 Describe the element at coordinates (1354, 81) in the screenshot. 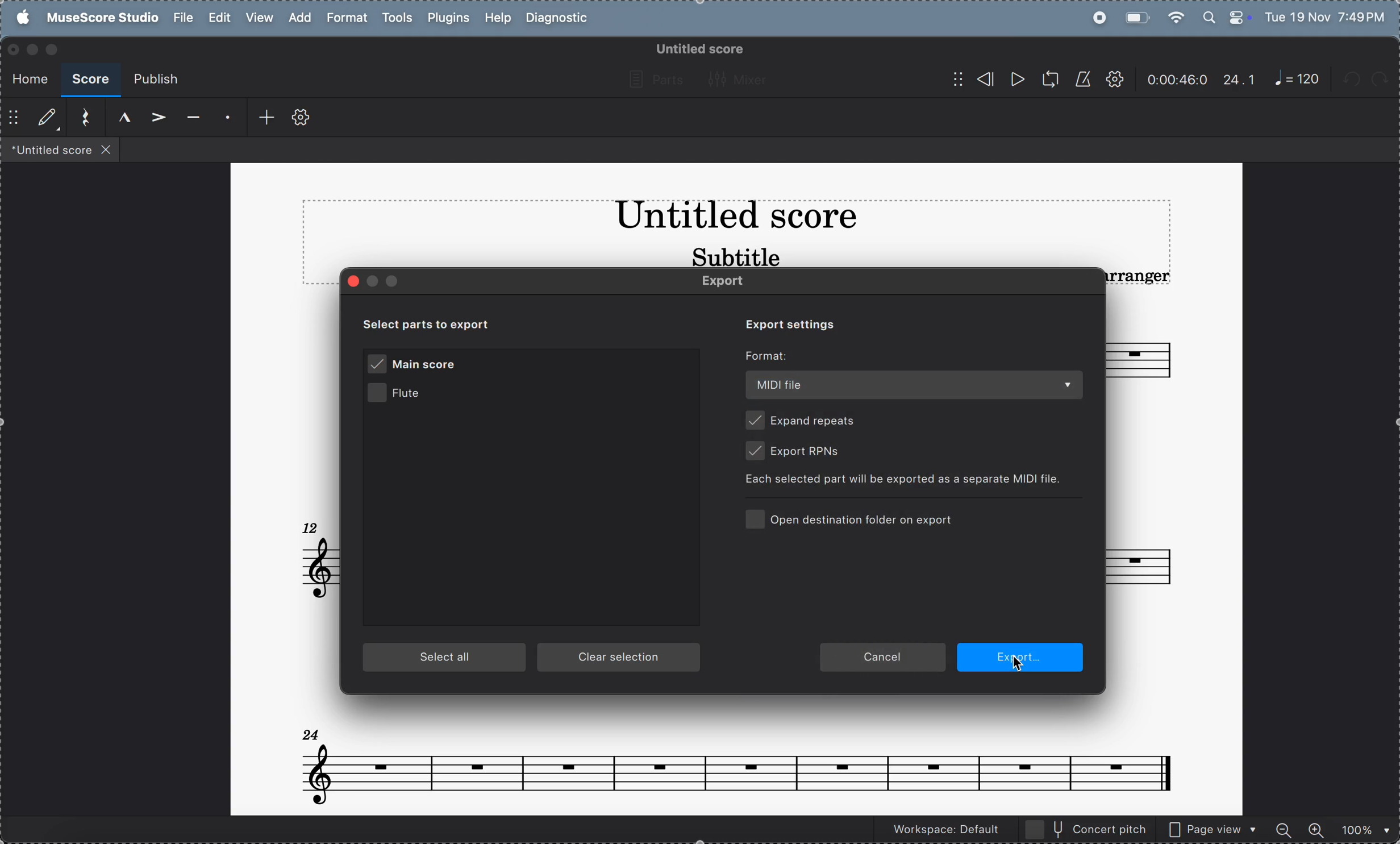

I see `undo` at that location.